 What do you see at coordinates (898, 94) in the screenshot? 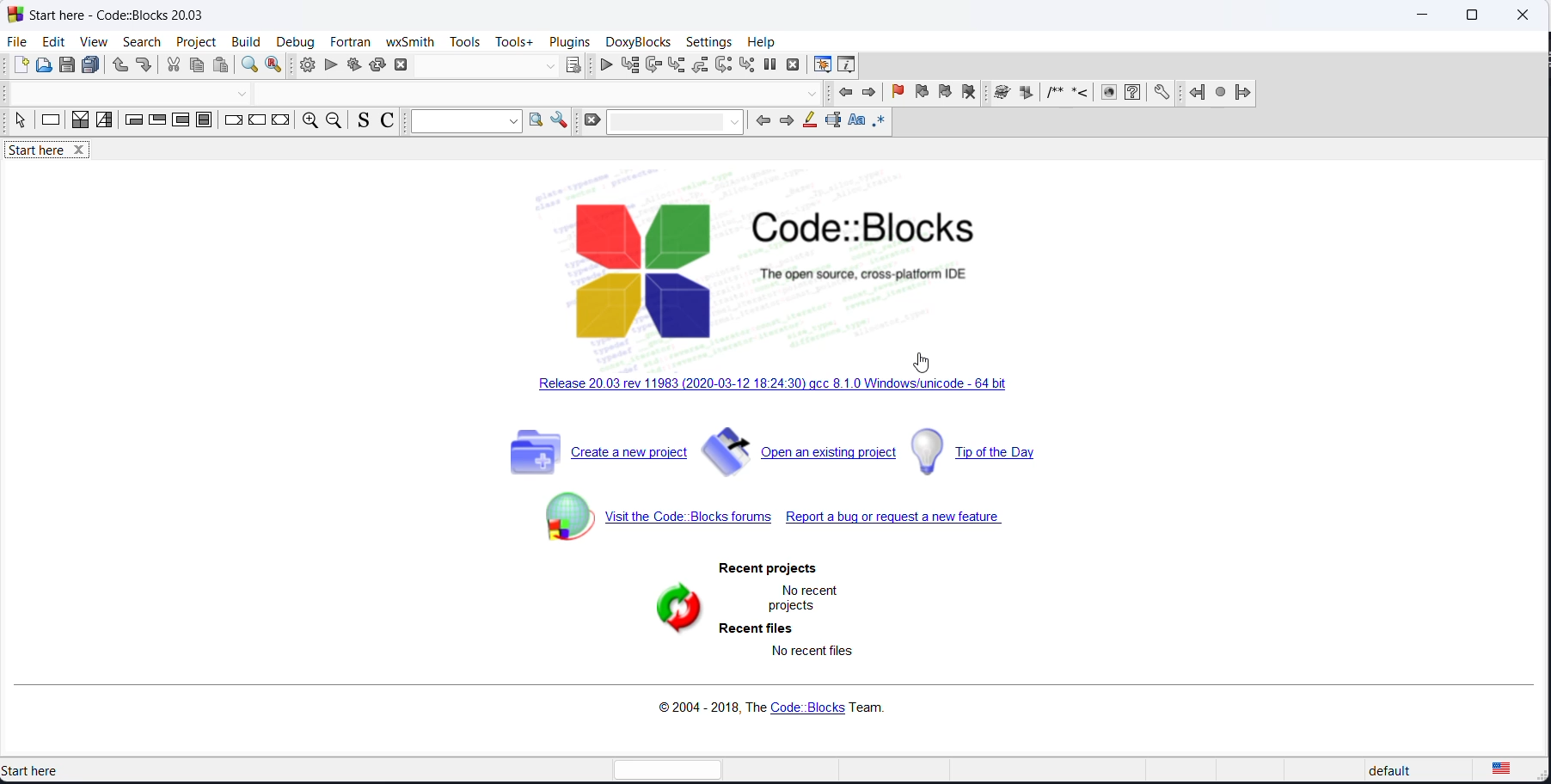
I see `add bookmark` at bounding box center [898, 94].